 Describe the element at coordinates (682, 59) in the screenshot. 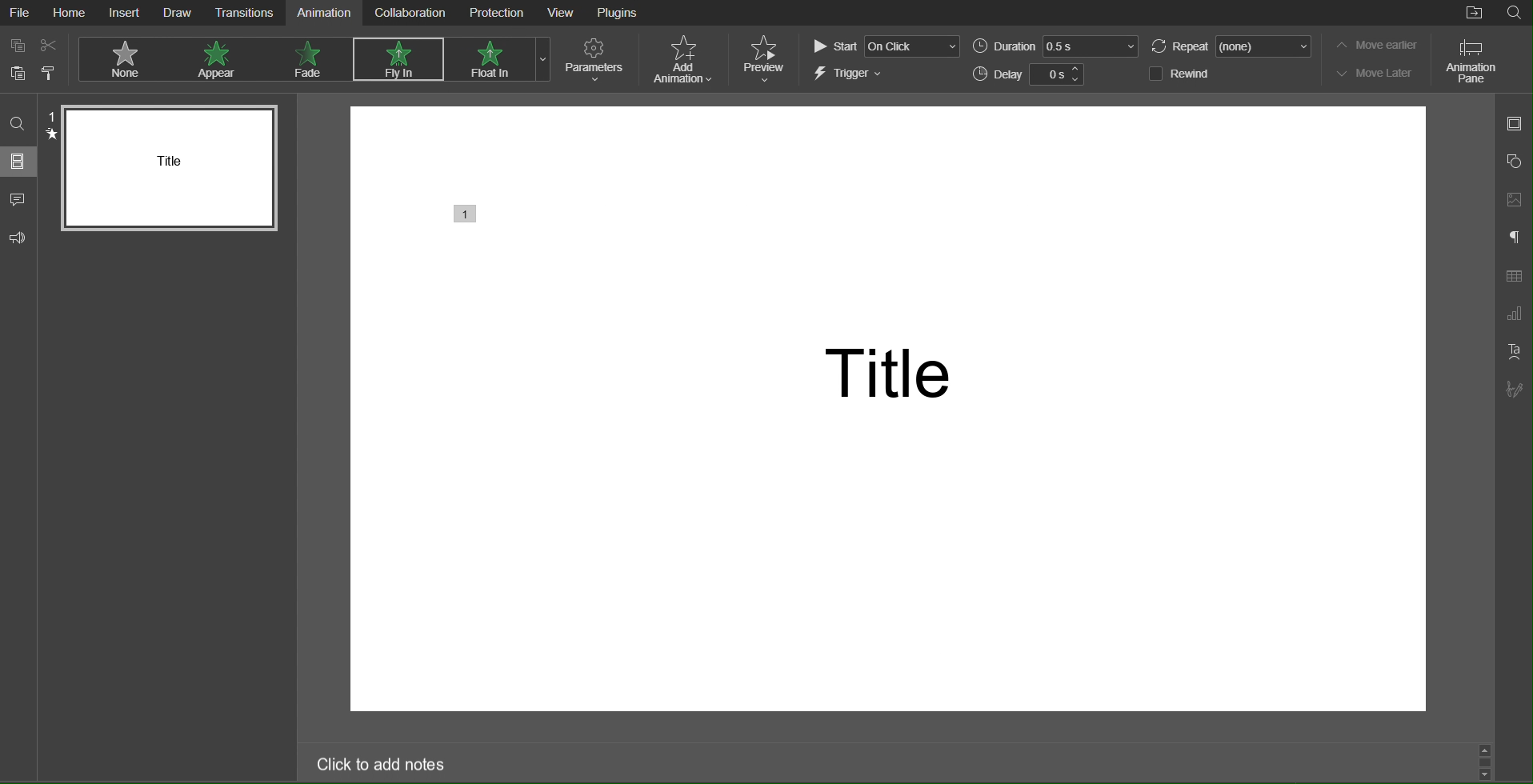

I see `Add Animation` at that location.